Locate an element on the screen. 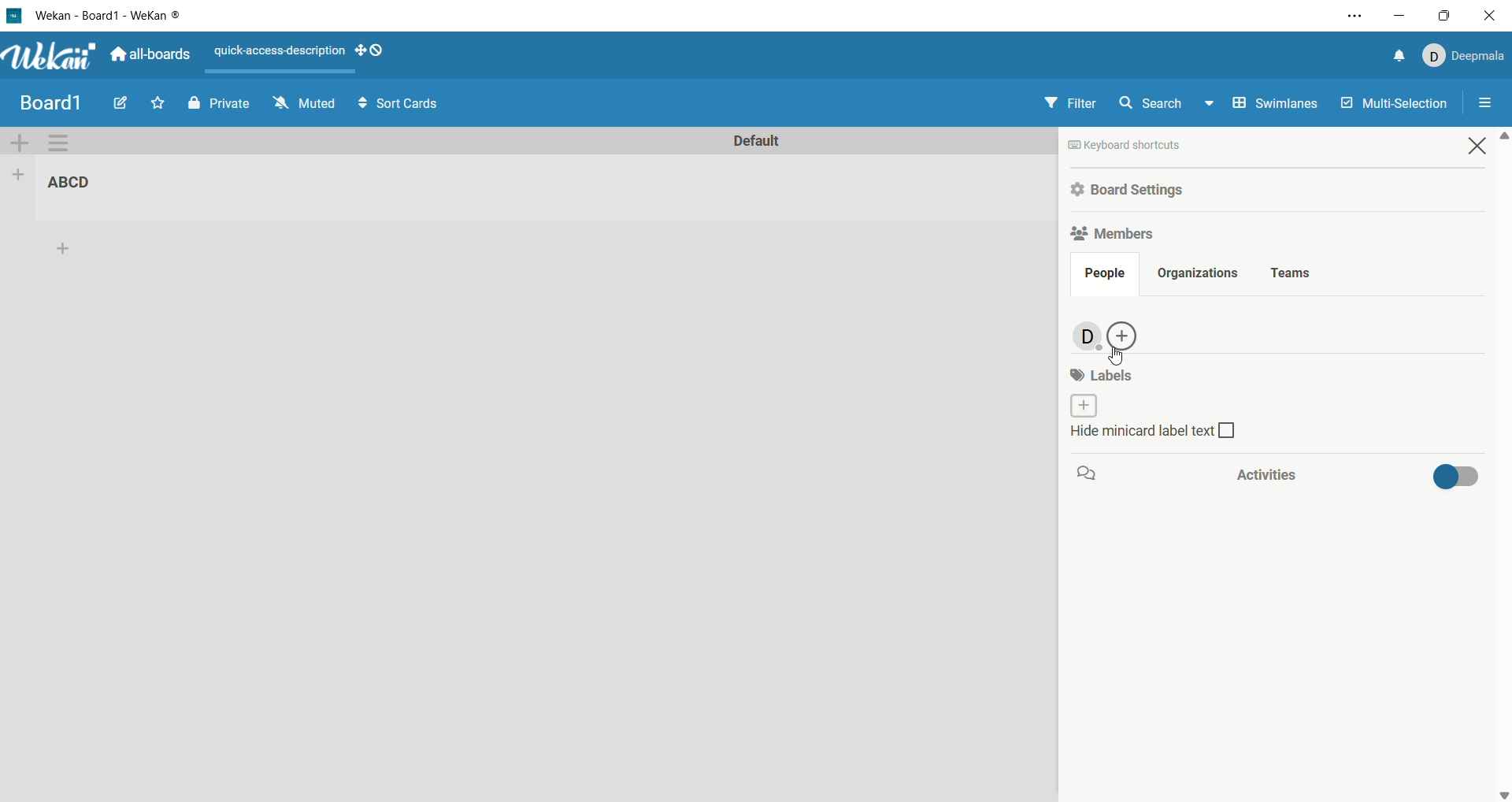 This screenshot has height=802, width=1512. maximize is located at coordinates (1443, 16).